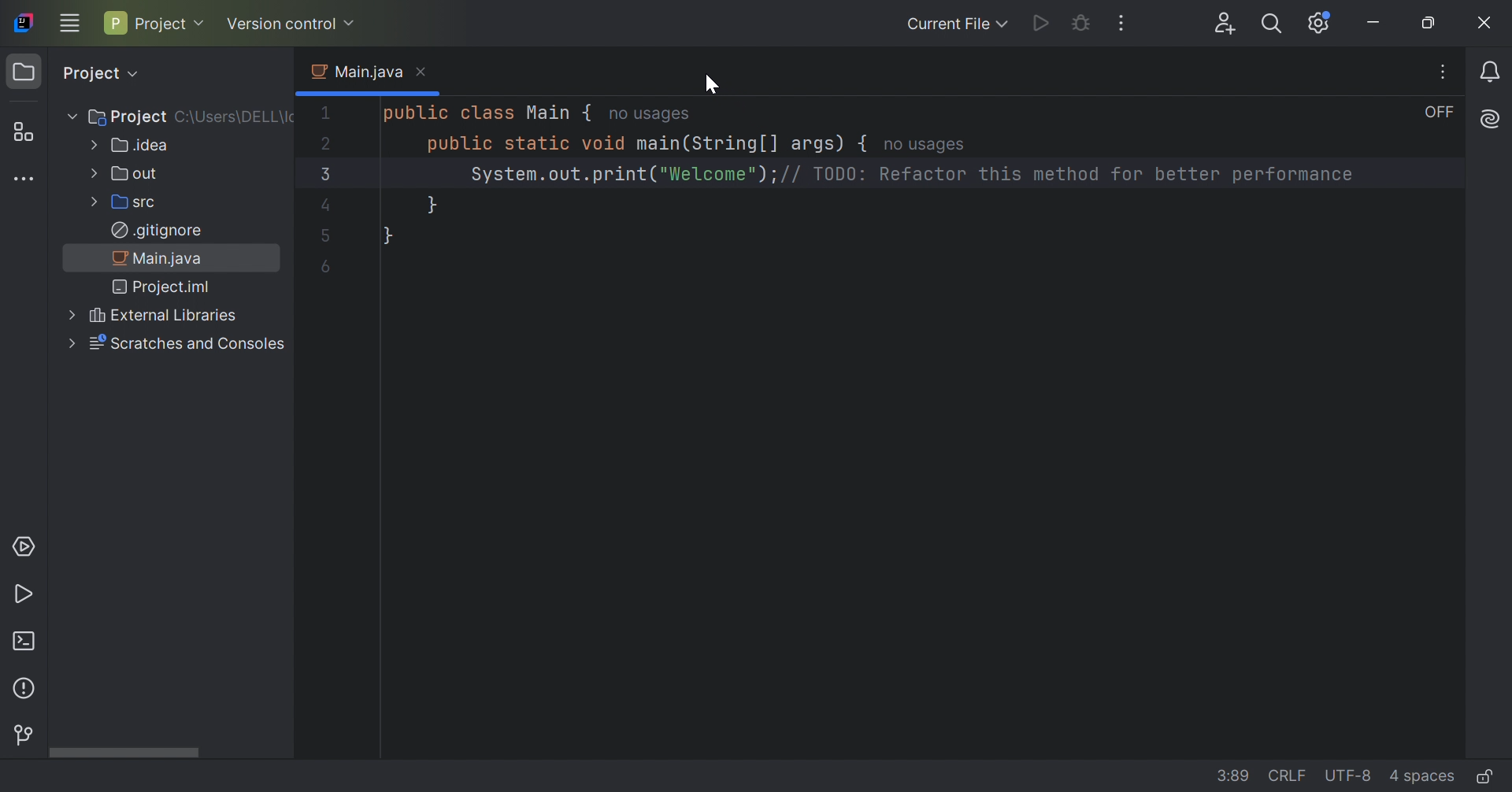 The image size is (1512, 792). Describe the element at coordinates (128, 146) in the screenshot. I see `Idea` at that location.